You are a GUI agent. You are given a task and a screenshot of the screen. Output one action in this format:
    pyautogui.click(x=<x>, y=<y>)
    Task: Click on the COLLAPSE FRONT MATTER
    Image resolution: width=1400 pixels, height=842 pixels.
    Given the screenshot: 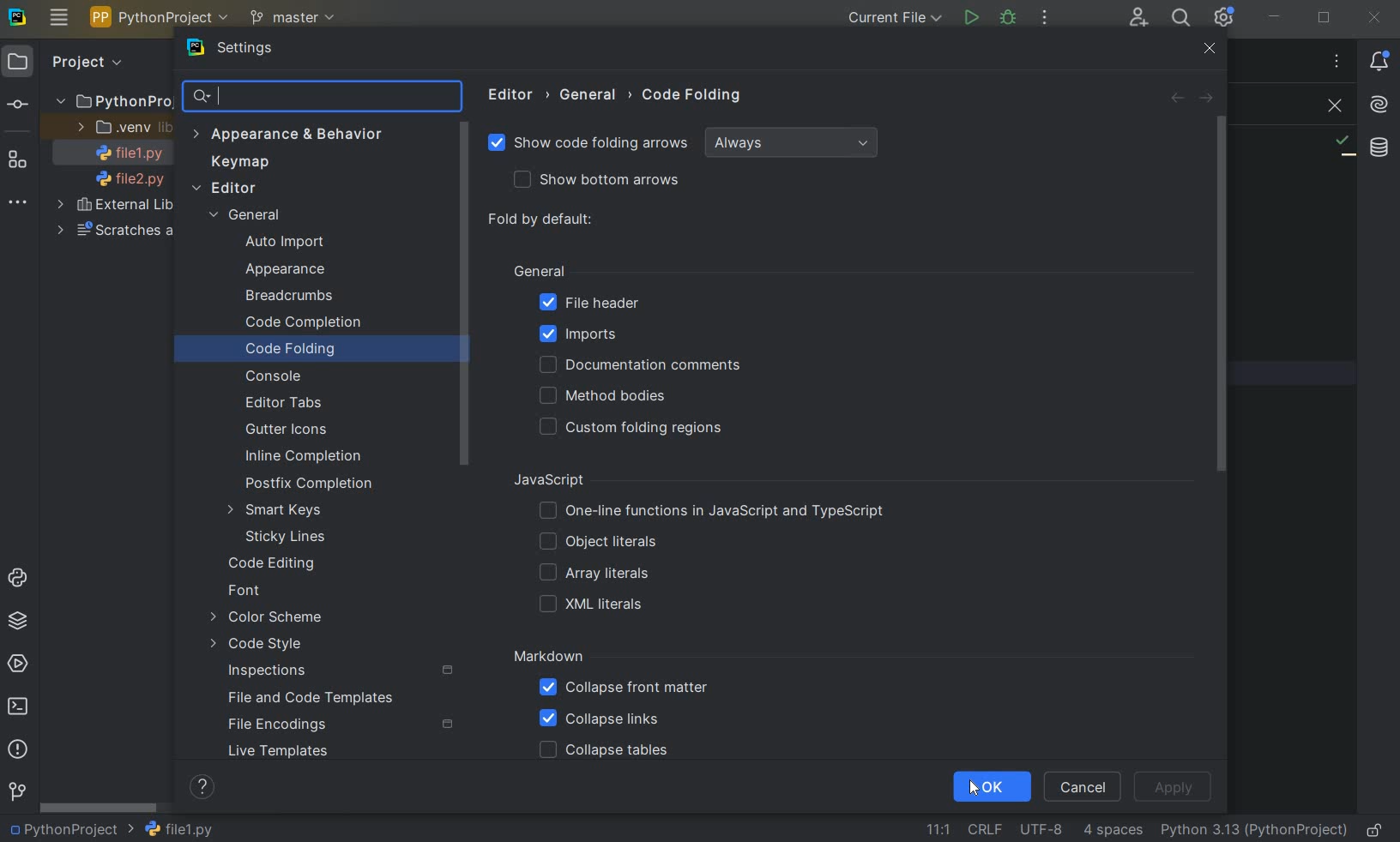 What is the action you would take?
    pyautogui.click(x=624, y=690)
    